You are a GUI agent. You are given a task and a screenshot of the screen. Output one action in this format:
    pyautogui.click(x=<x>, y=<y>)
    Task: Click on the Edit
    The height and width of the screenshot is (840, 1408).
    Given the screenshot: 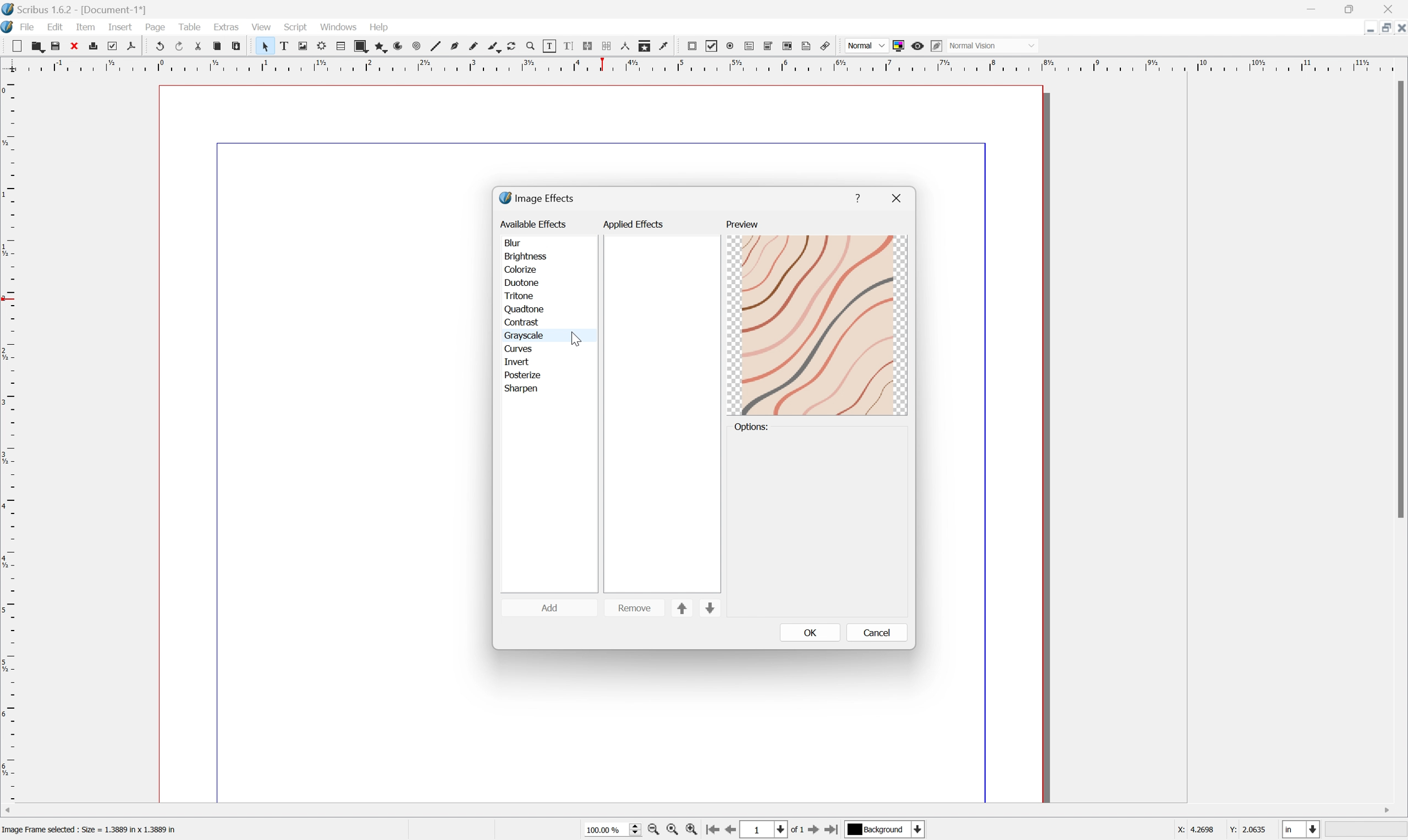 What is the action you would take?
    pyautogui.click(x=56, y=27)
    